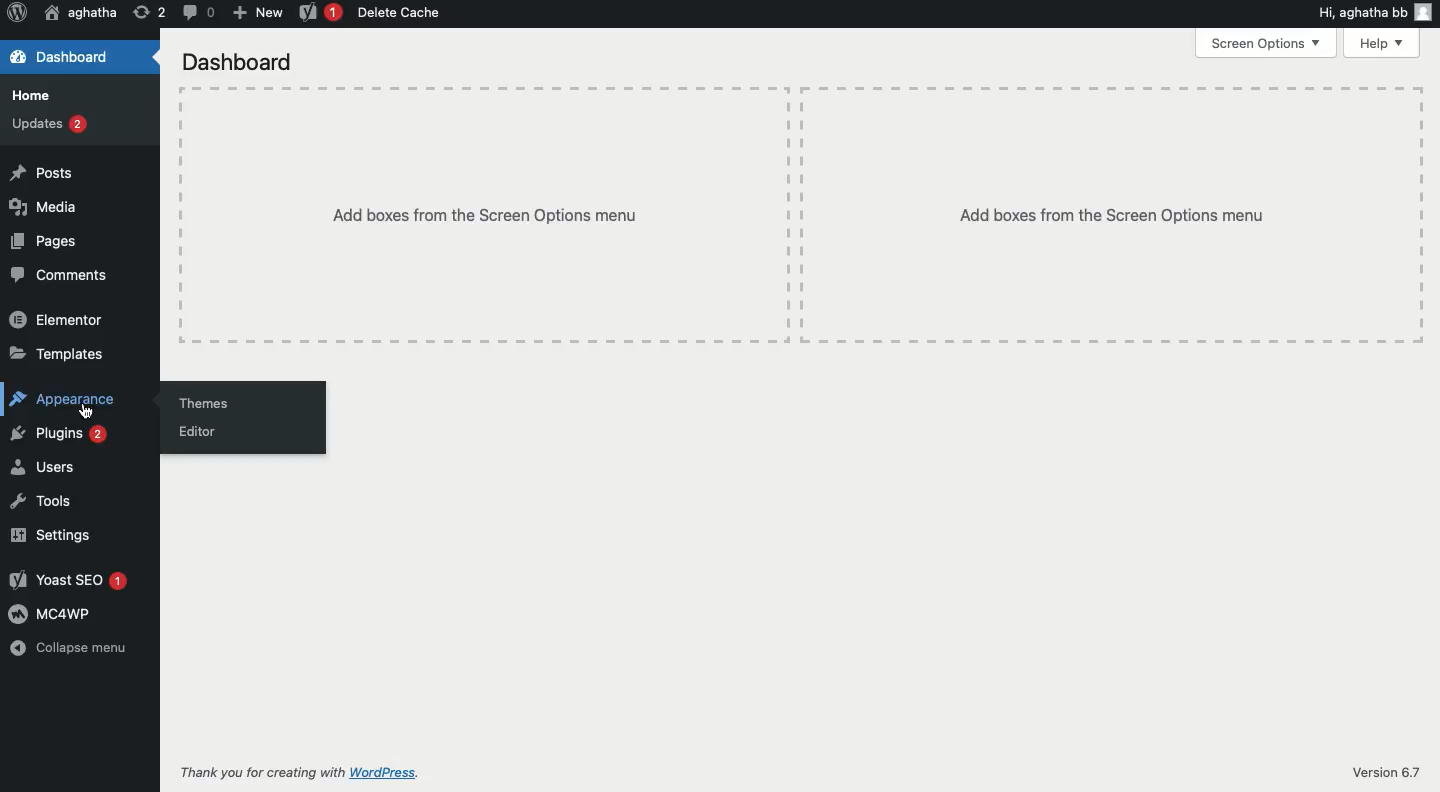  I want to click on Editor, so click(200, 432).